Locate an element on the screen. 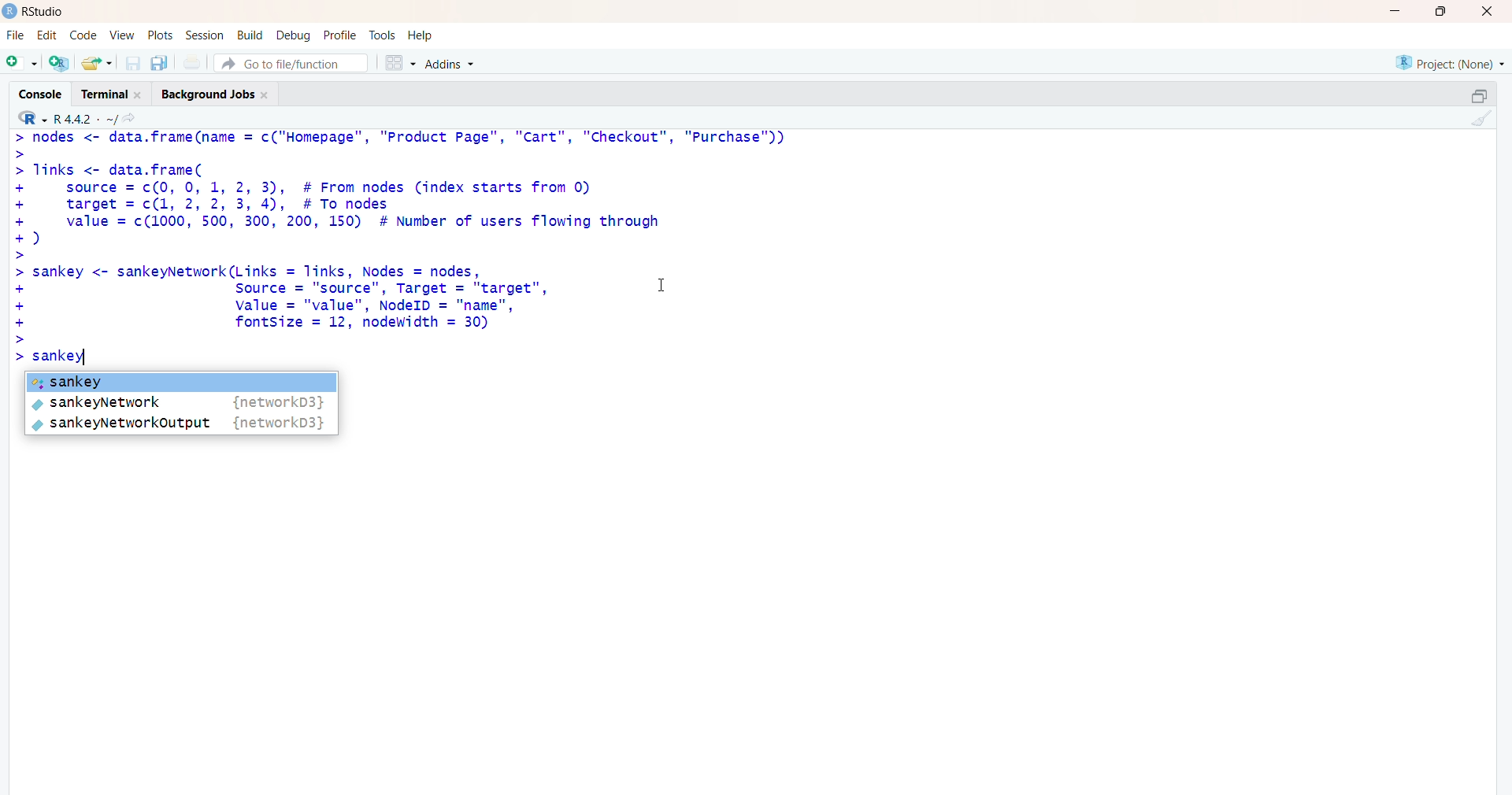  debug is located at coordinates (291, 35).